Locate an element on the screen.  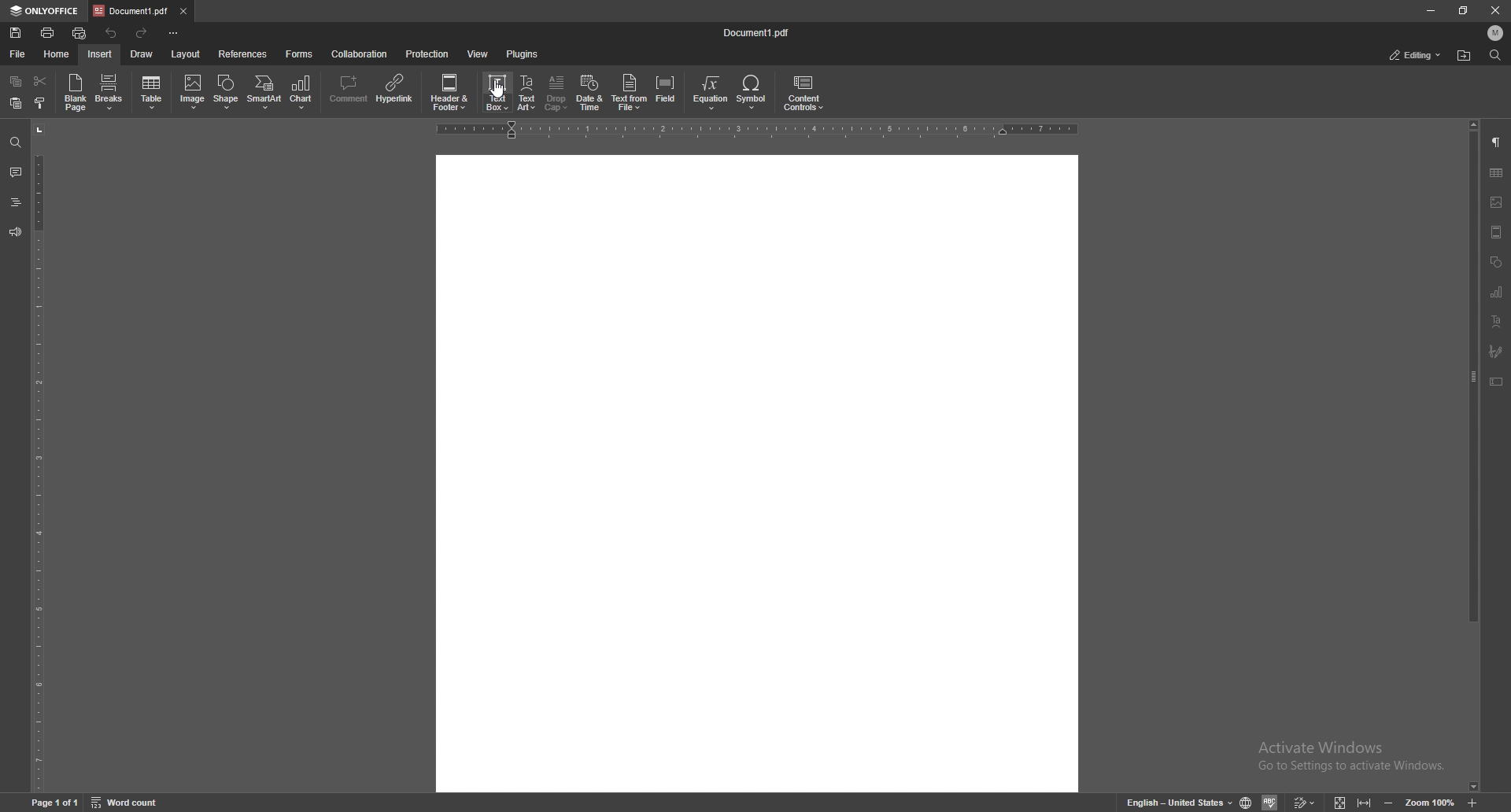
equation is located at coordinates (711, 93).